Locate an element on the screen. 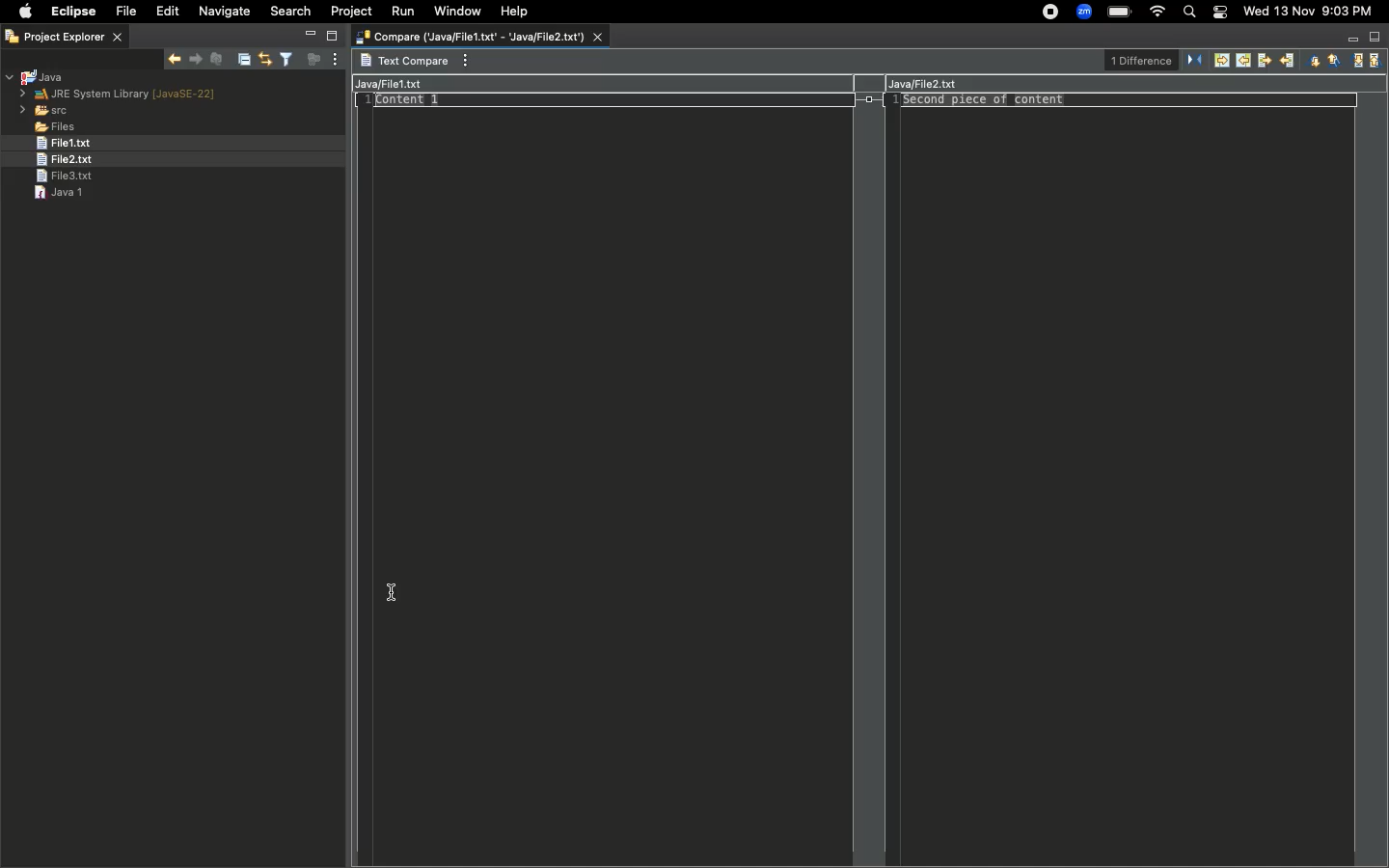  Notification is located at coordinates (1222, 12).